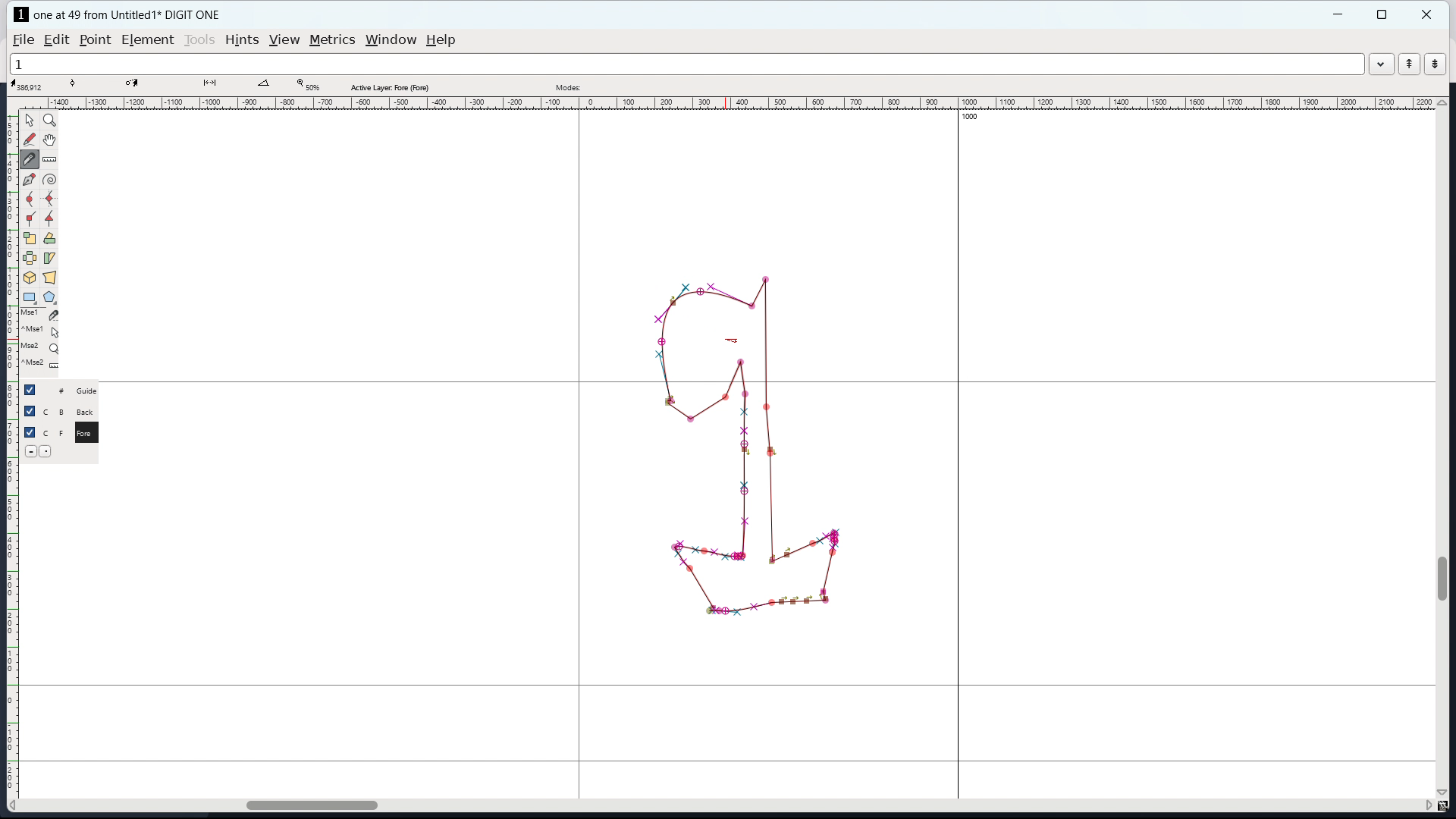 This screenshot has width=1456, height=819. Describe the element at coordinates (391, 40) in the screenshot. I see `window` at that location.